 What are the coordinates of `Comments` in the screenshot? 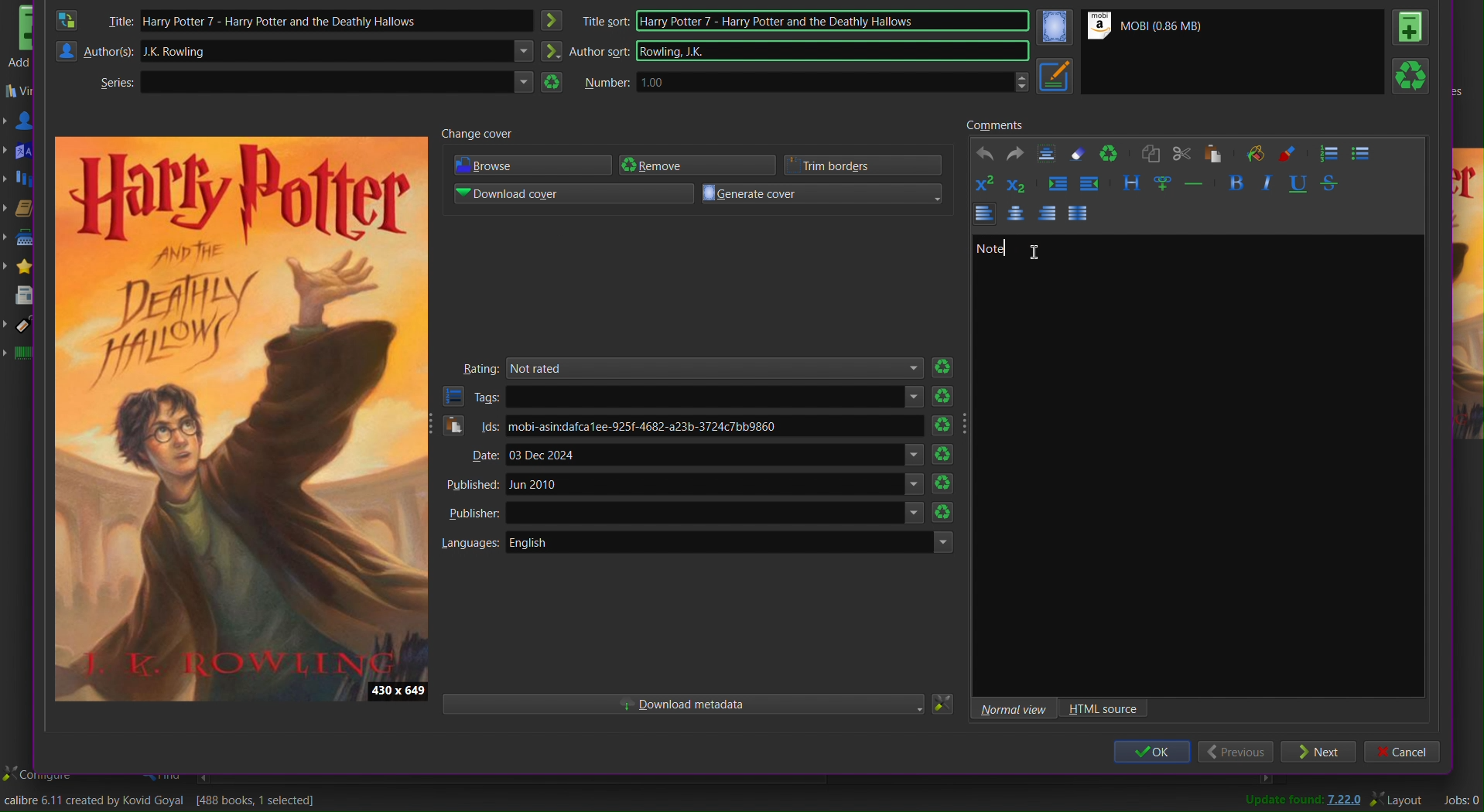 It's located at (994, 125).